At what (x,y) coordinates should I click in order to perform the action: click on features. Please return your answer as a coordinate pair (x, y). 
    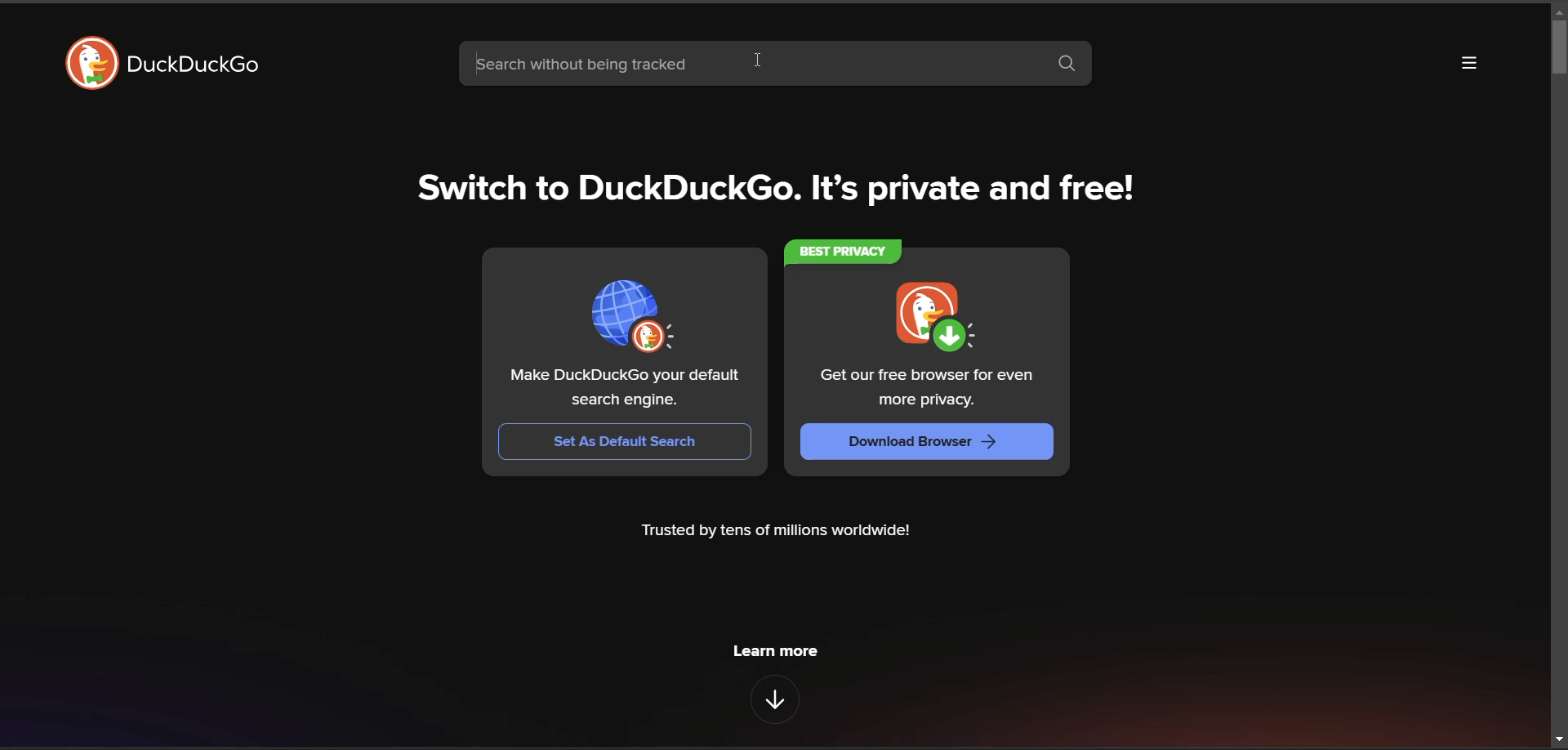
    Looking at the image, I should click on (770, 701).